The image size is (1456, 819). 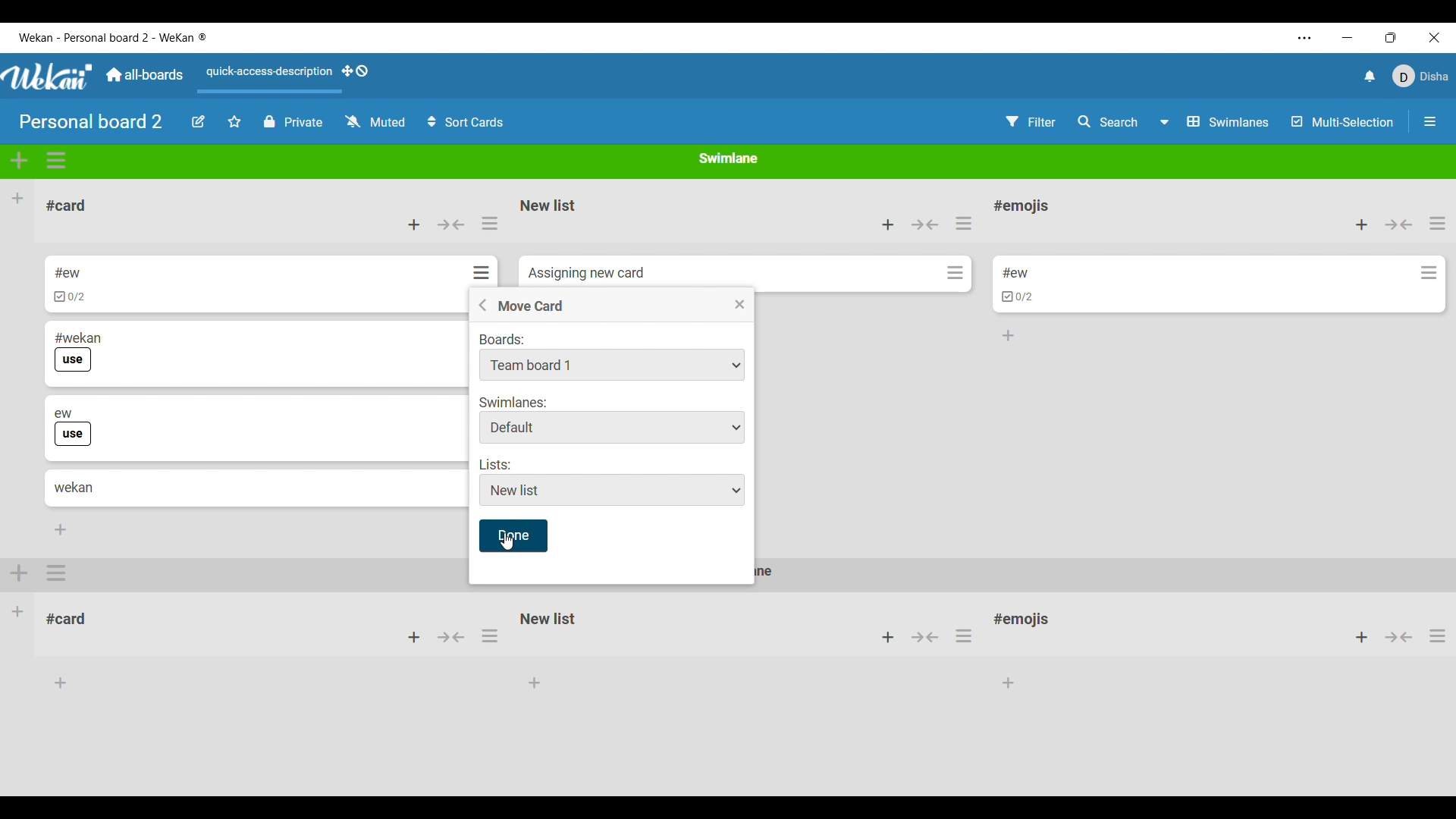 What do you see at coordinates (355, 71) in the screenshot?
I see `Show desktop drag handles` at bounding box center [355, 71].